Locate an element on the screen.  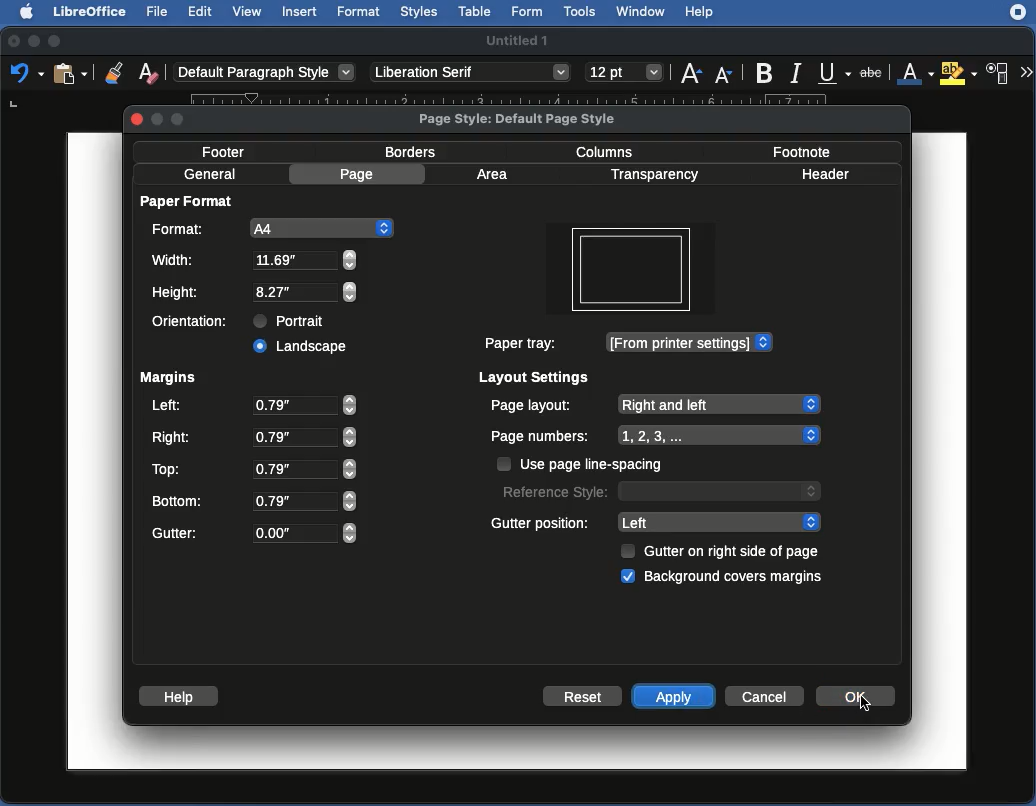
Apply click is located at coordinates (674, 696).